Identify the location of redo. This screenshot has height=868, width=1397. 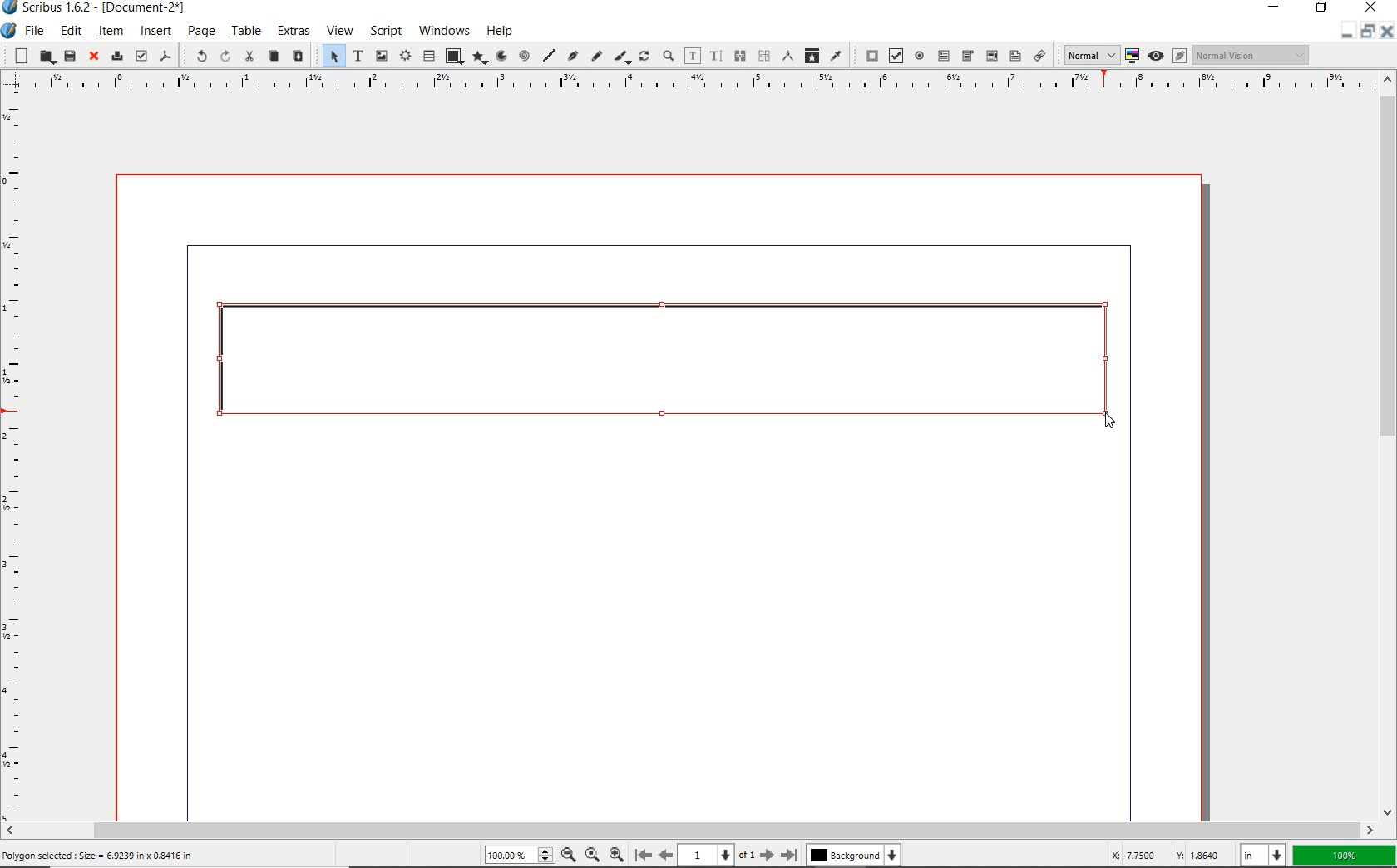
(225, 56).